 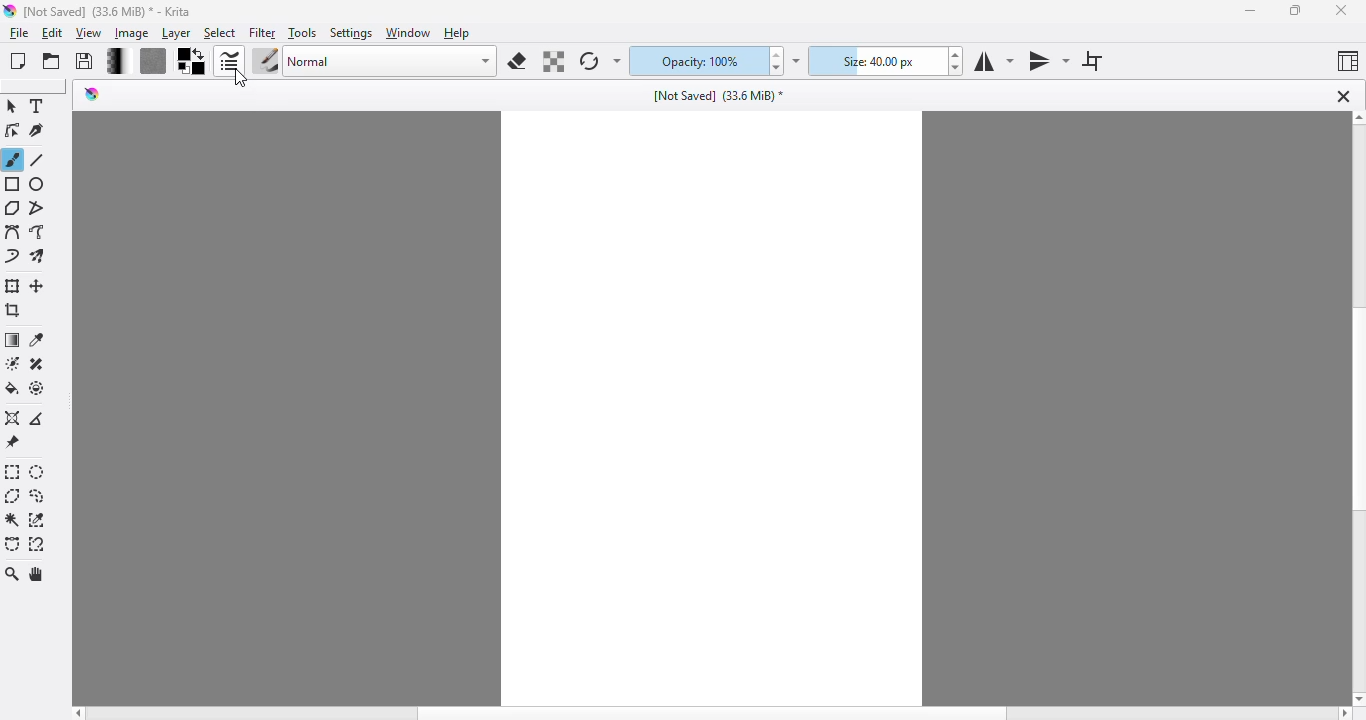 What do you see at coordinates (13, 574) in the screenshot?
I see `zoom tool` at bounding box center [13, 574].